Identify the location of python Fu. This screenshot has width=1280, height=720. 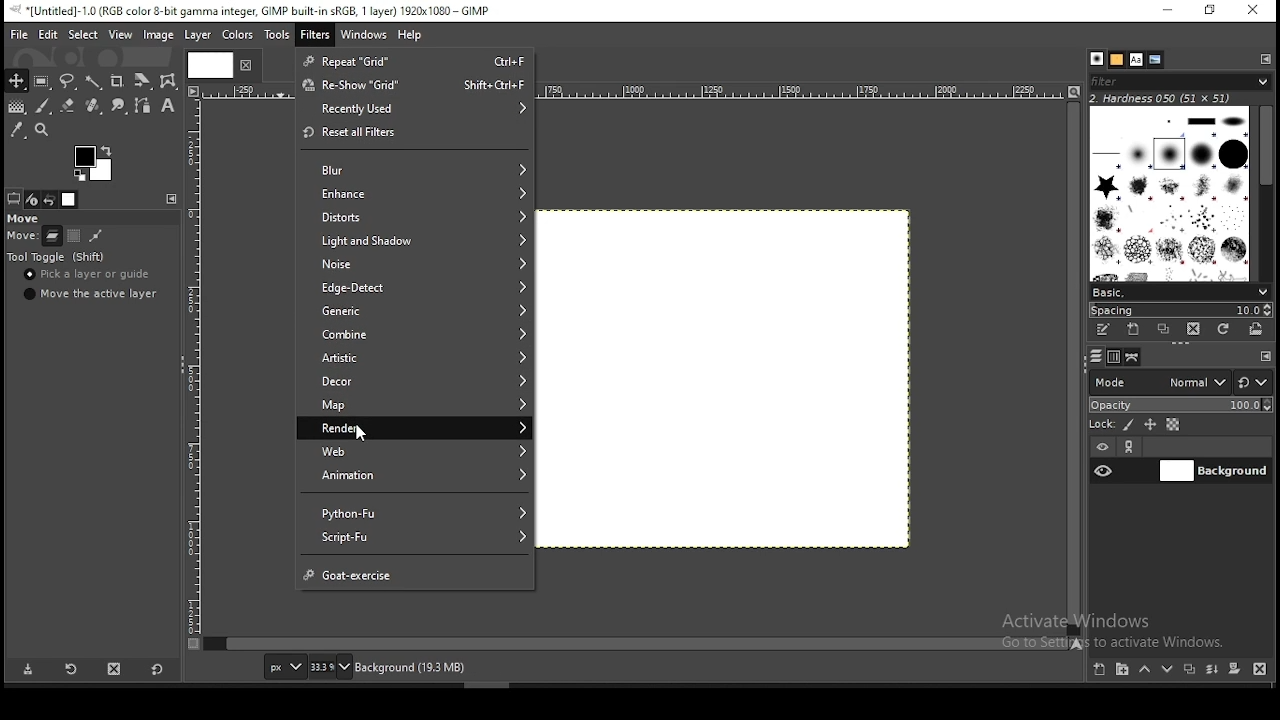
(415, 512).